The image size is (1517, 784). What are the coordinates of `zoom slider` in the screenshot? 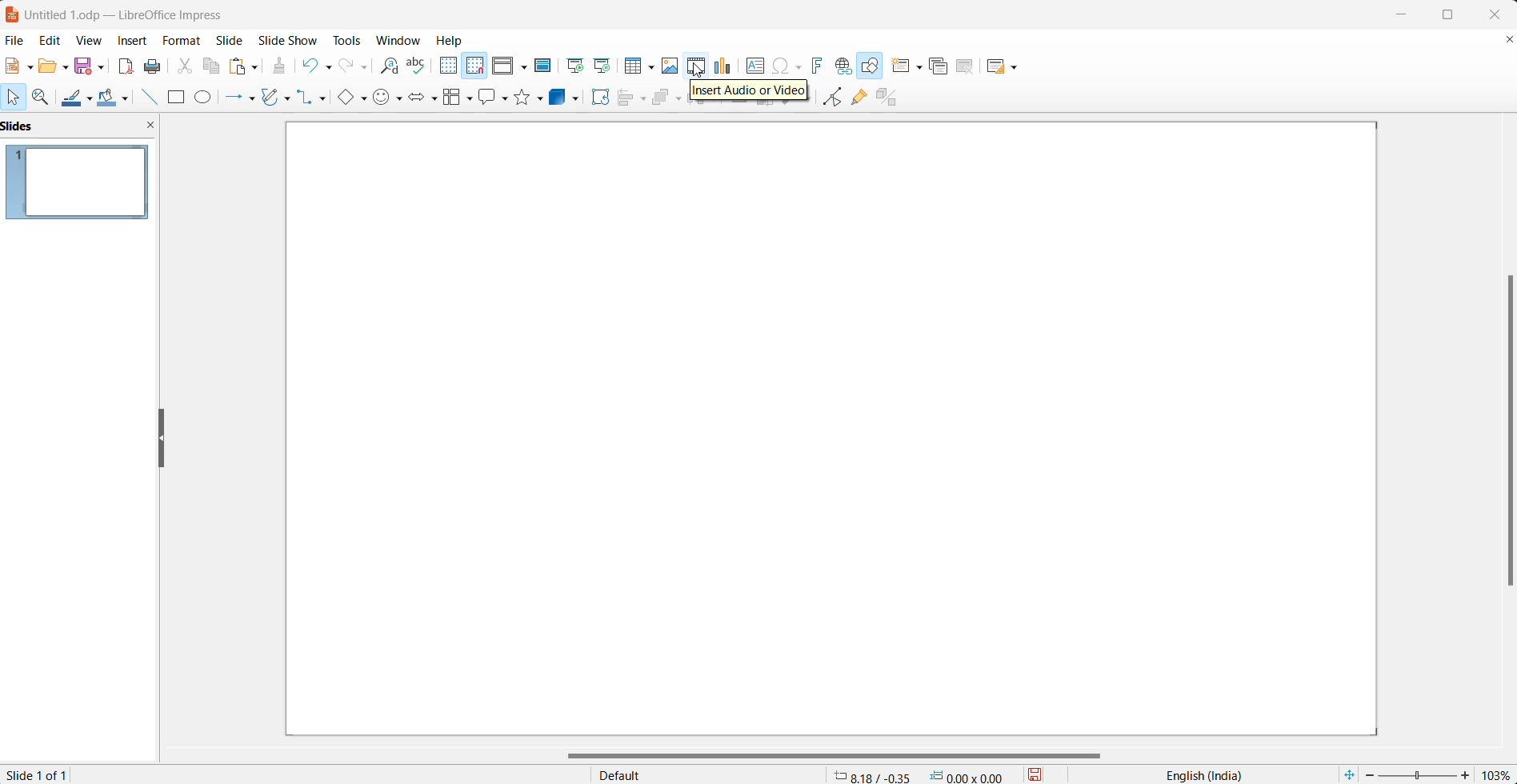 It's located at (1418, 776).